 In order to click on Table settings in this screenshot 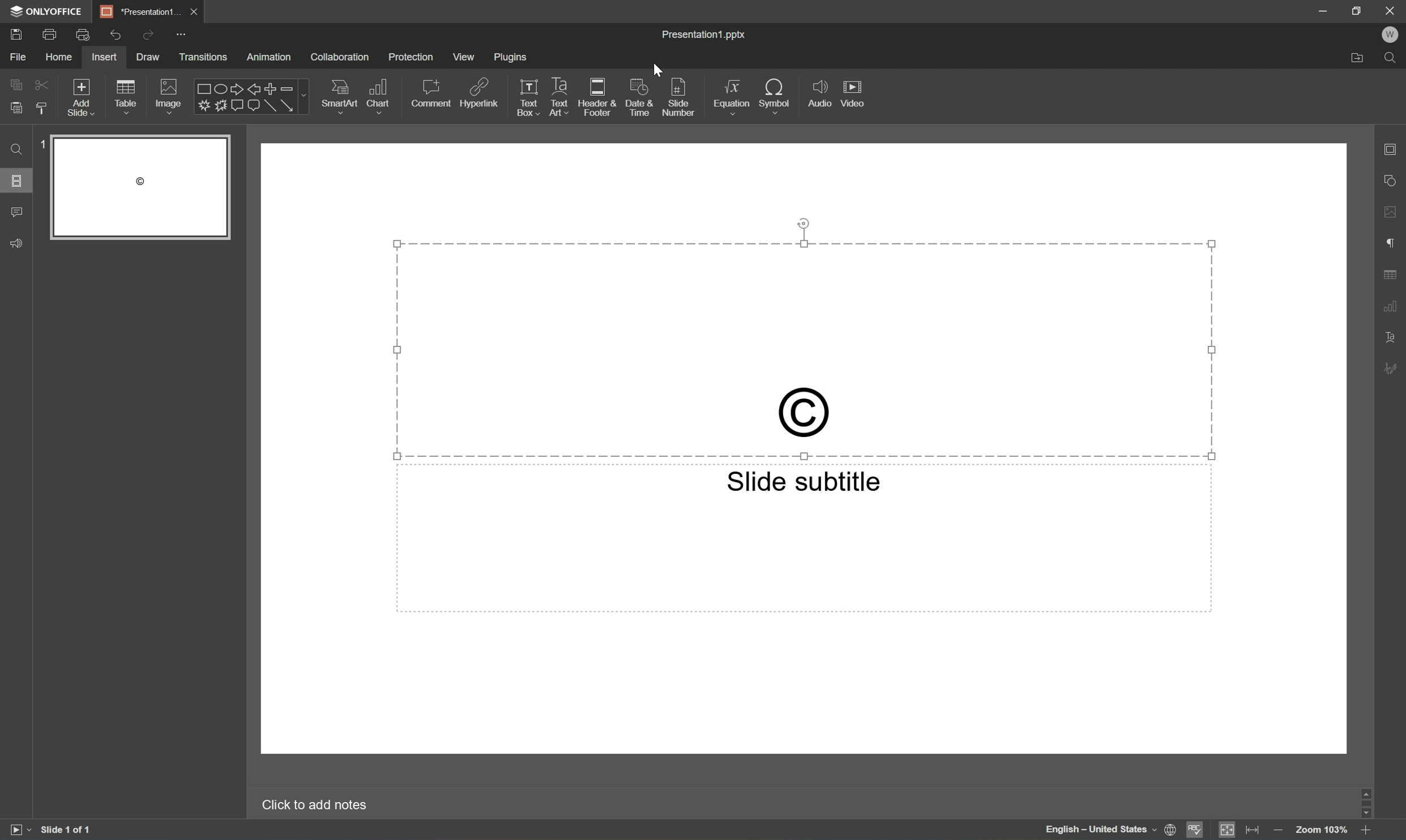, I will do `click(1395, 274)`.